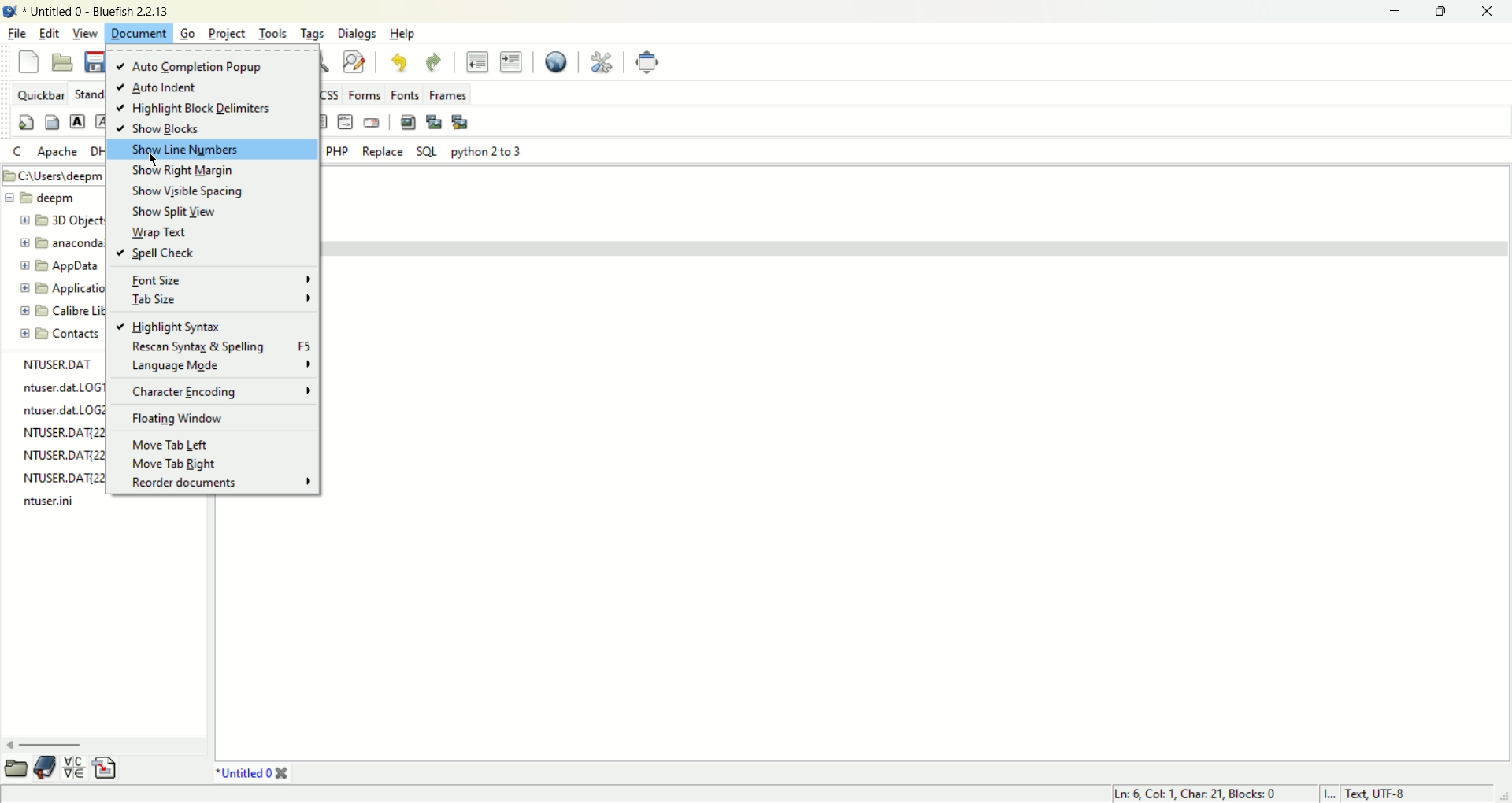  I want to click on frames, so click(448, 93).